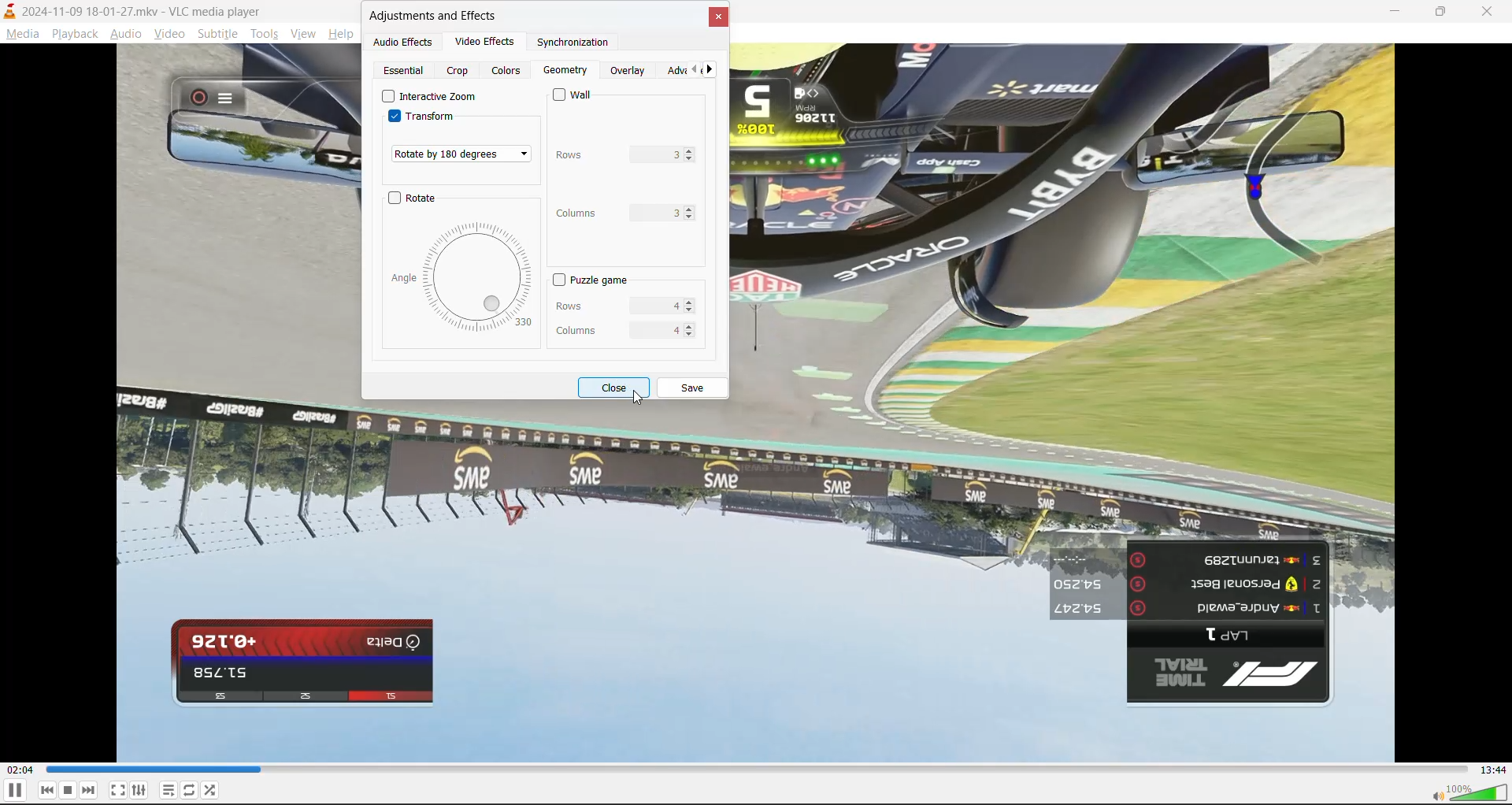 This screenshot has height=805, width=1512. Describe the element at coordinates (713, 72) in the screenshot. I see `next` at that location.